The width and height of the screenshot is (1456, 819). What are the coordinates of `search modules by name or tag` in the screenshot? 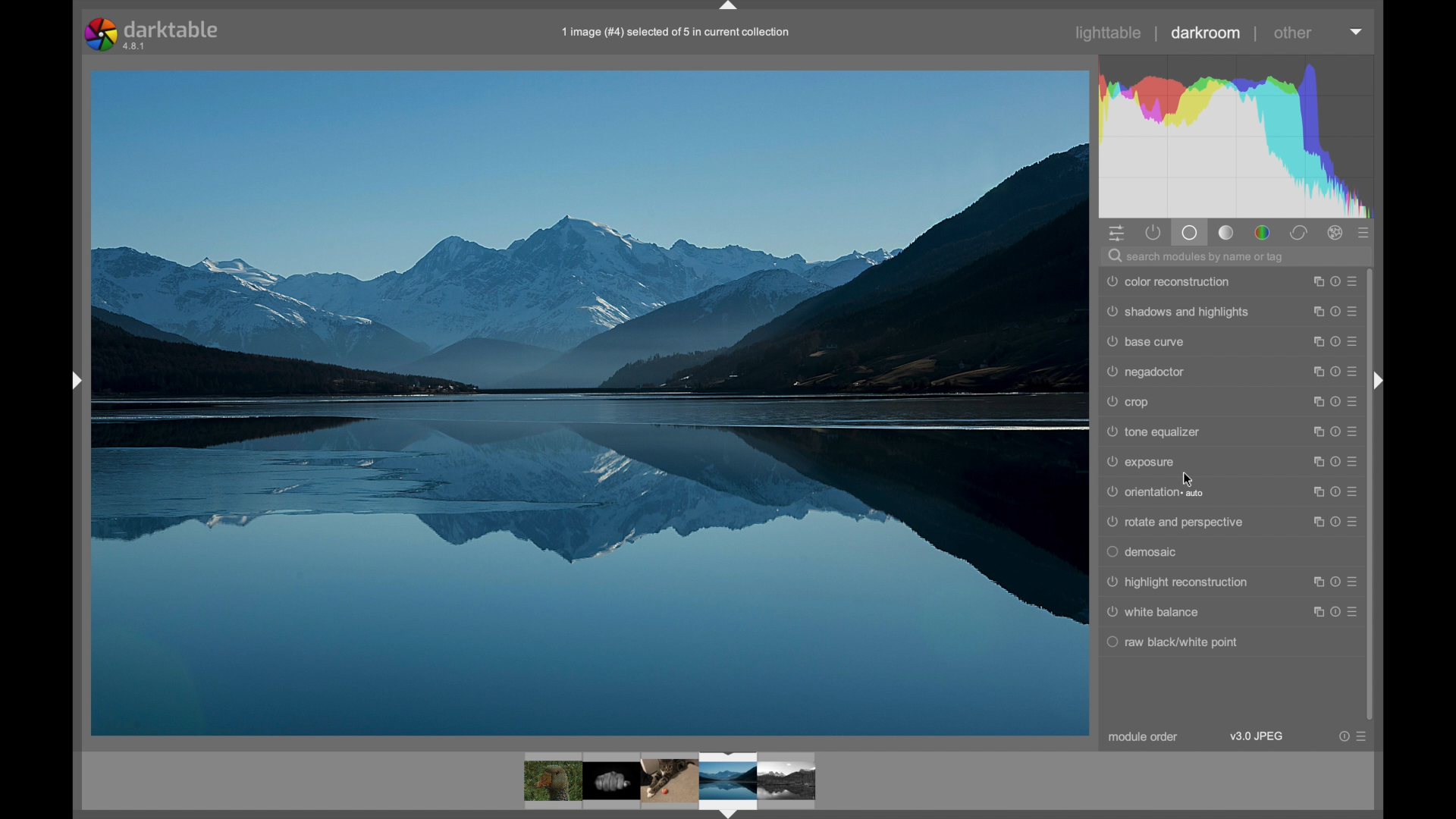 It's located at (1198, 256).